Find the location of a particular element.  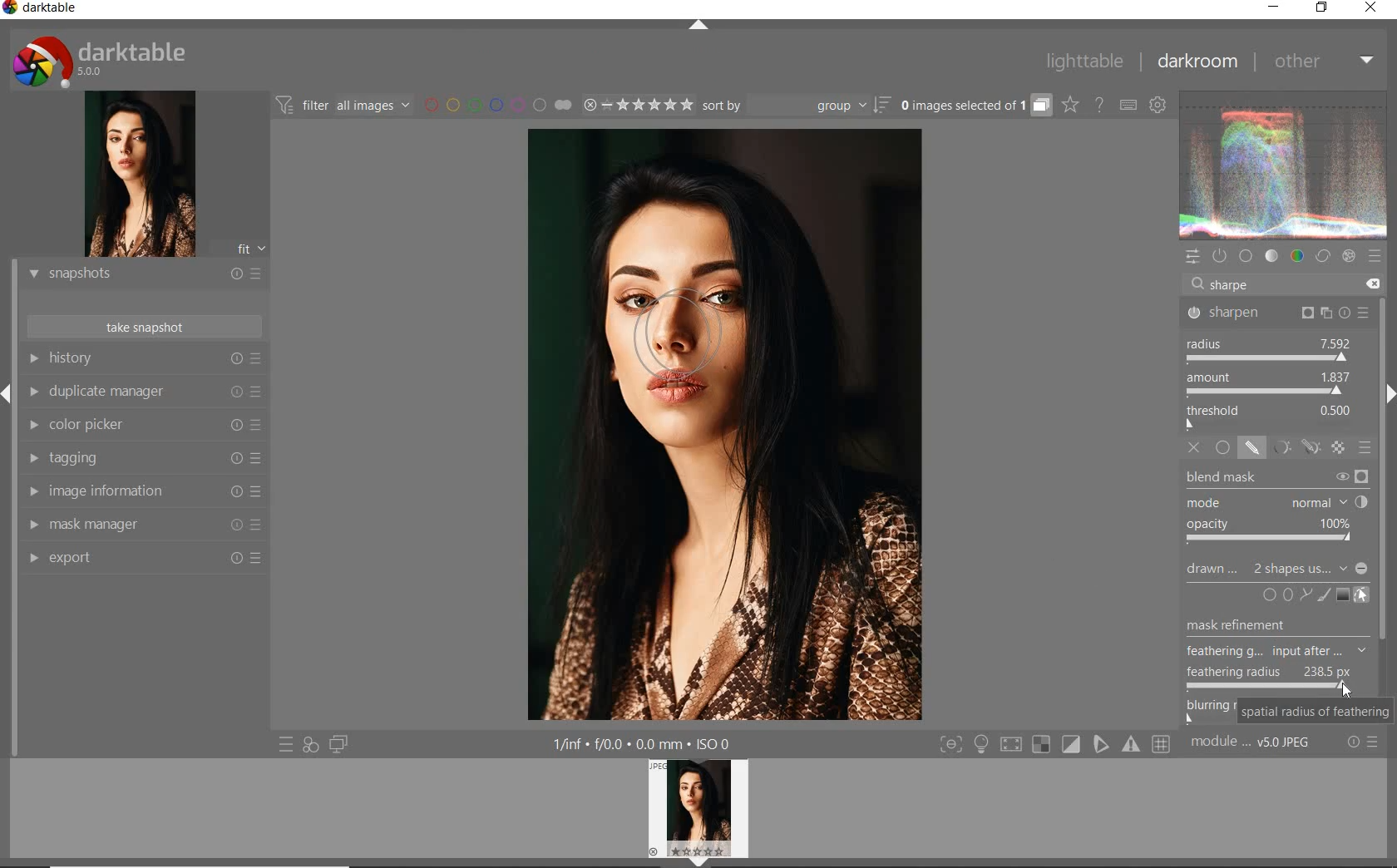

DARKROOM is located at coordinates (1197, 62).